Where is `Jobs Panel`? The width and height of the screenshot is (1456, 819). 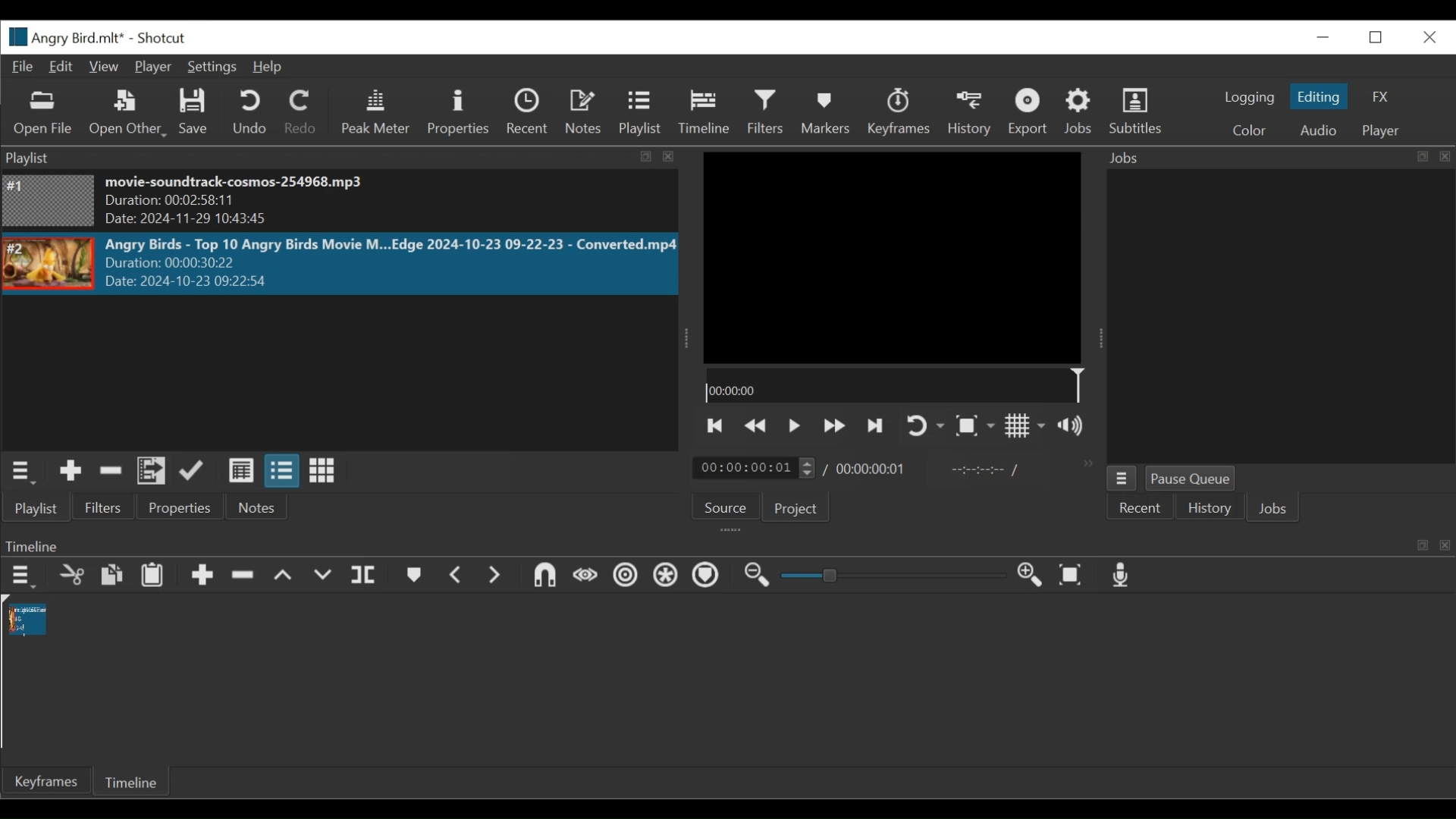 Jobs Panel is located at coordinates (1265, 317).